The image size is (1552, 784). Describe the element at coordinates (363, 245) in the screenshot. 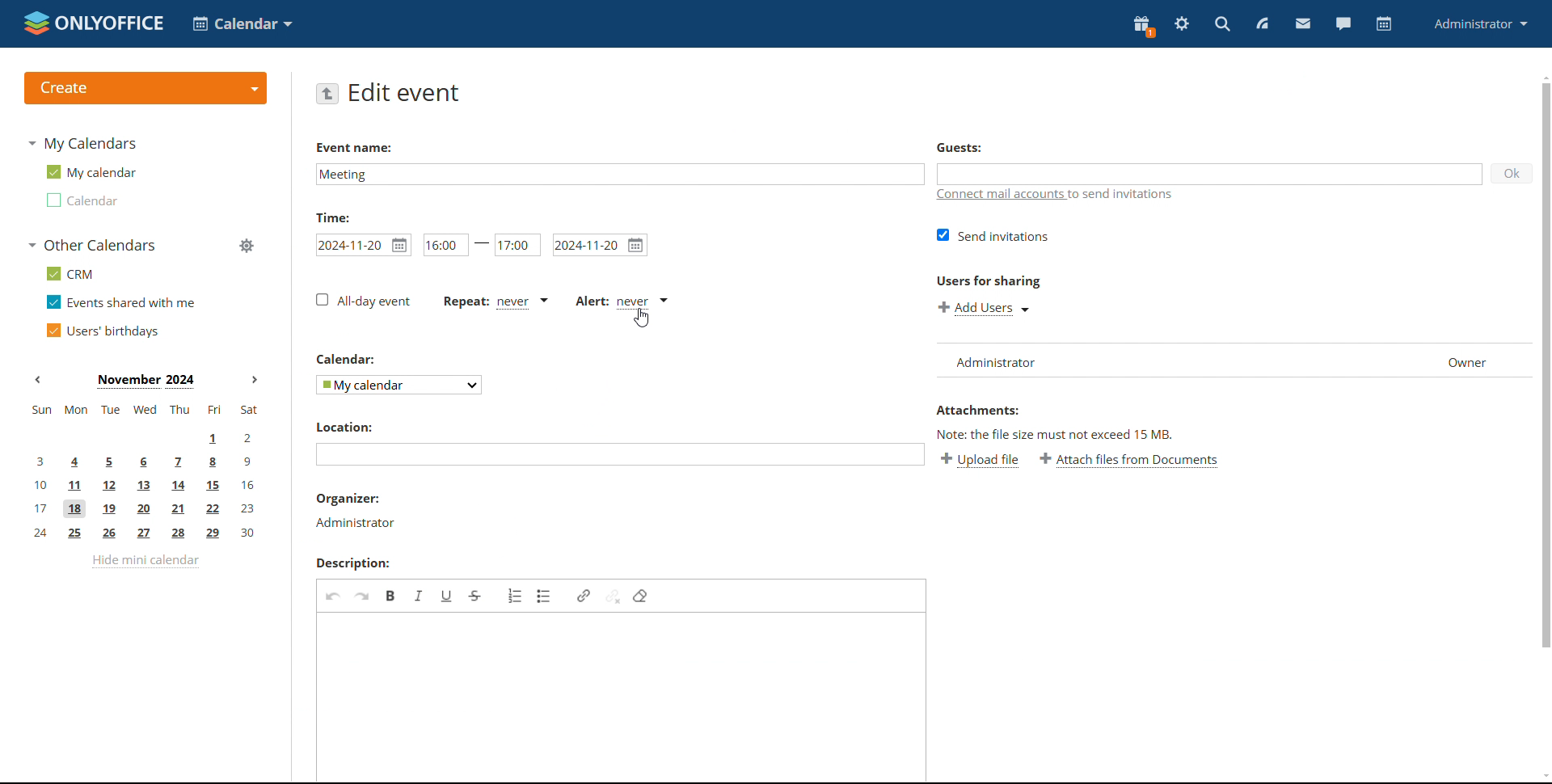

I see `start date` at that location.